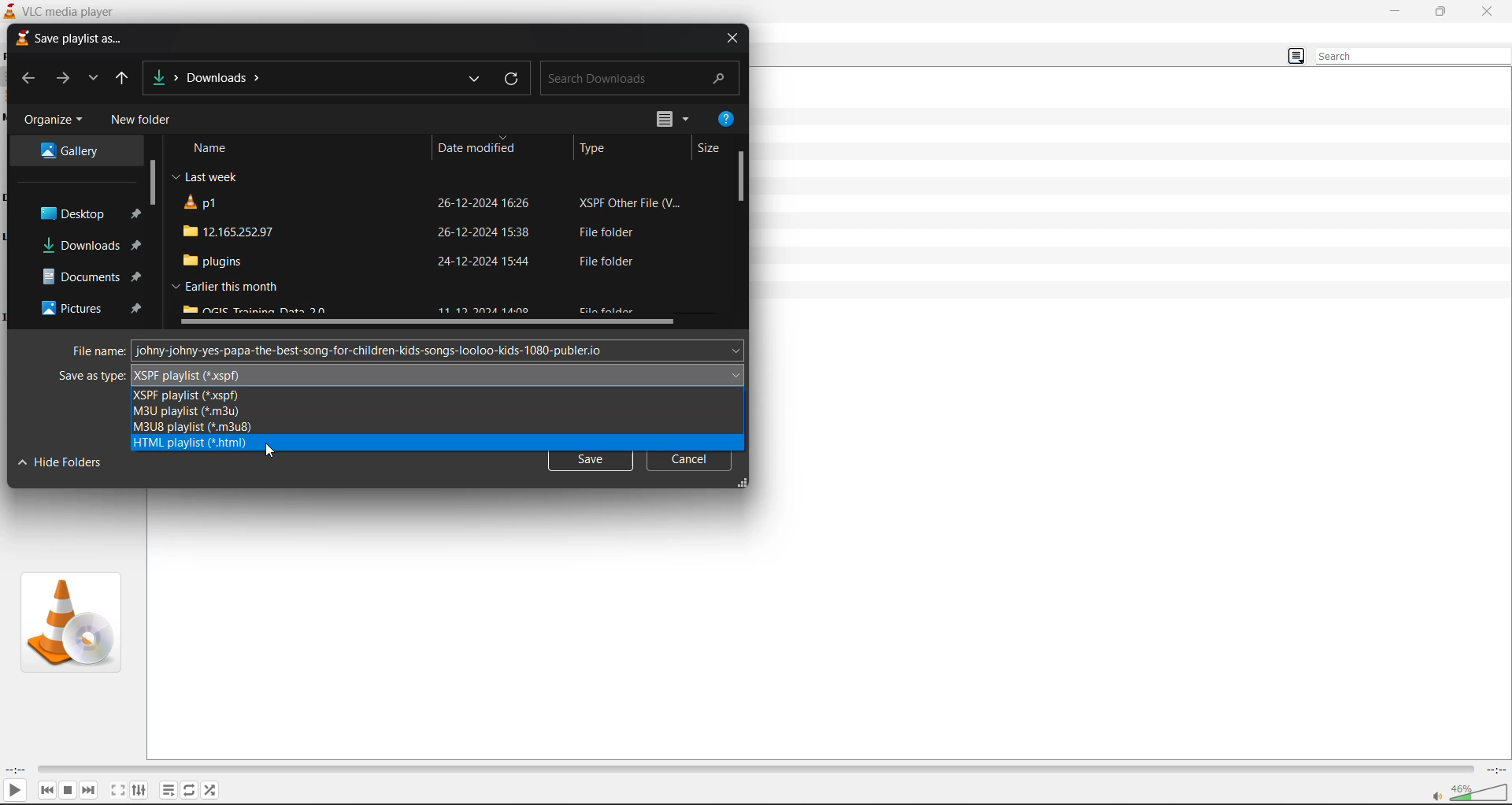 This screenshot has width=1512, height=805. What do you see at coordinates (87, 276) in the screenshot?
I see `documents` at bounding box center [87, 276].